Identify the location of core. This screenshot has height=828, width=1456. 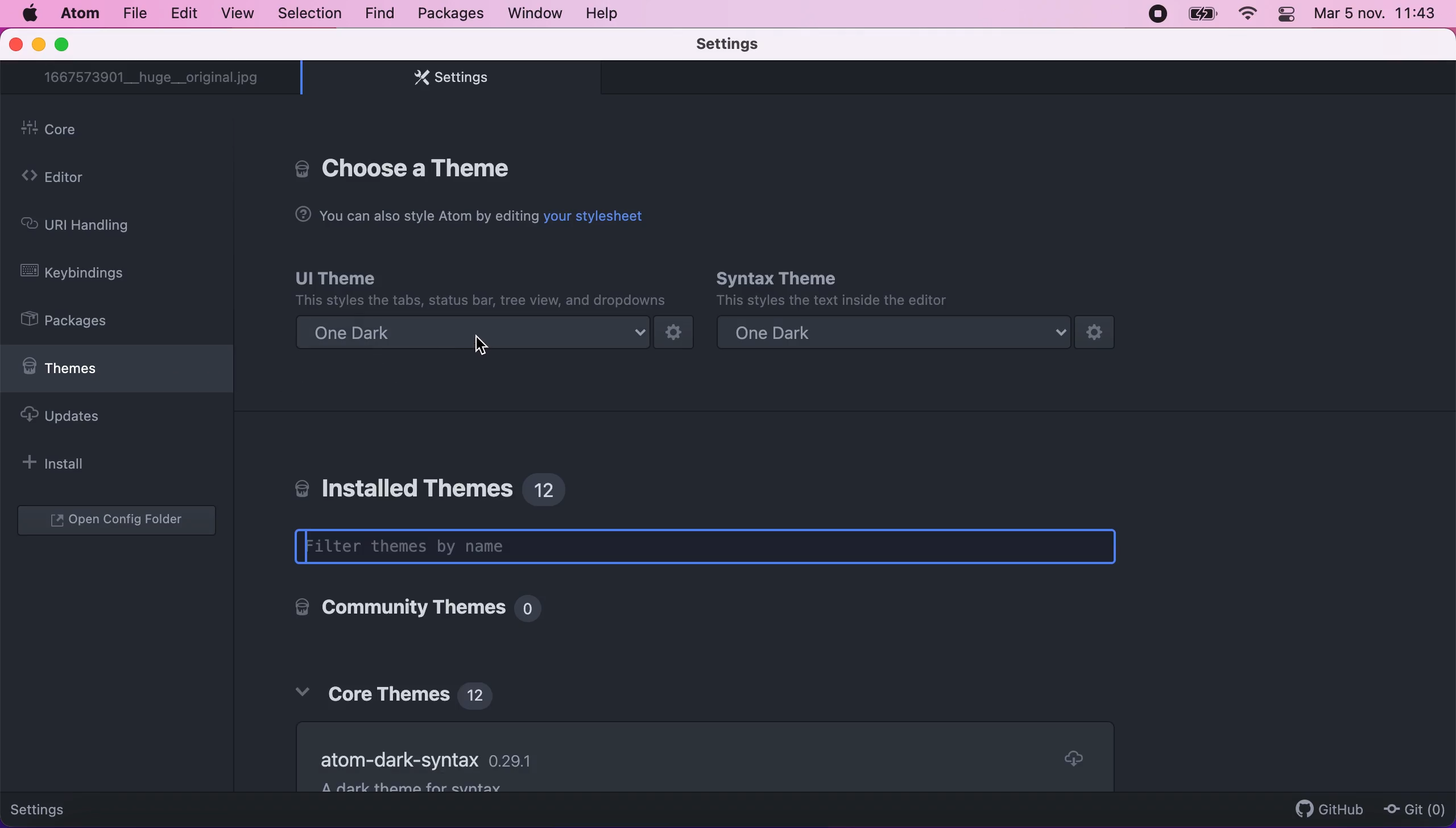
(123, 131).